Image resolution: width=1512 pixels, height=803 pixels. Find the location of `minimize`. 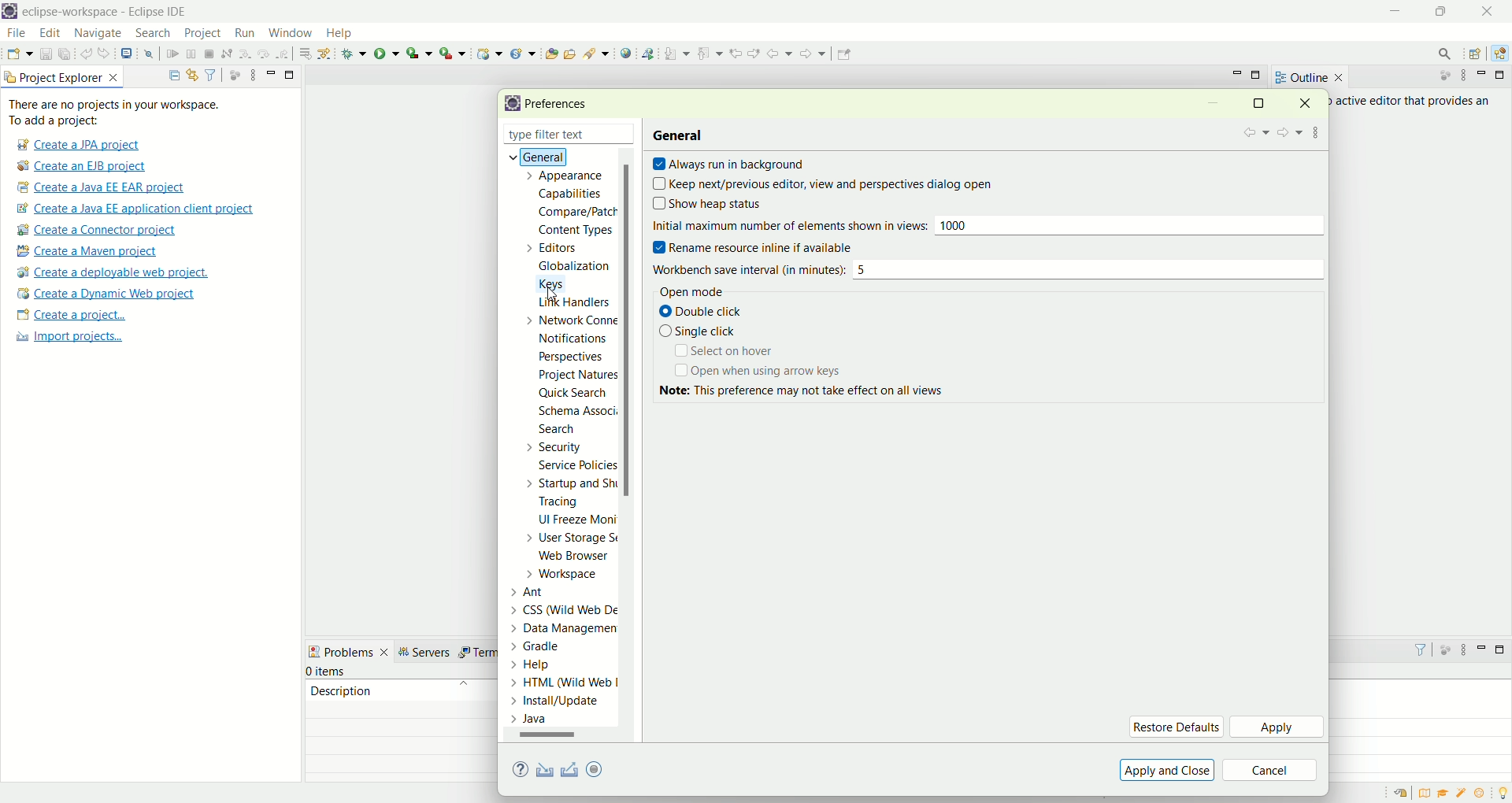

minimize is located at coordinates (271, 72).